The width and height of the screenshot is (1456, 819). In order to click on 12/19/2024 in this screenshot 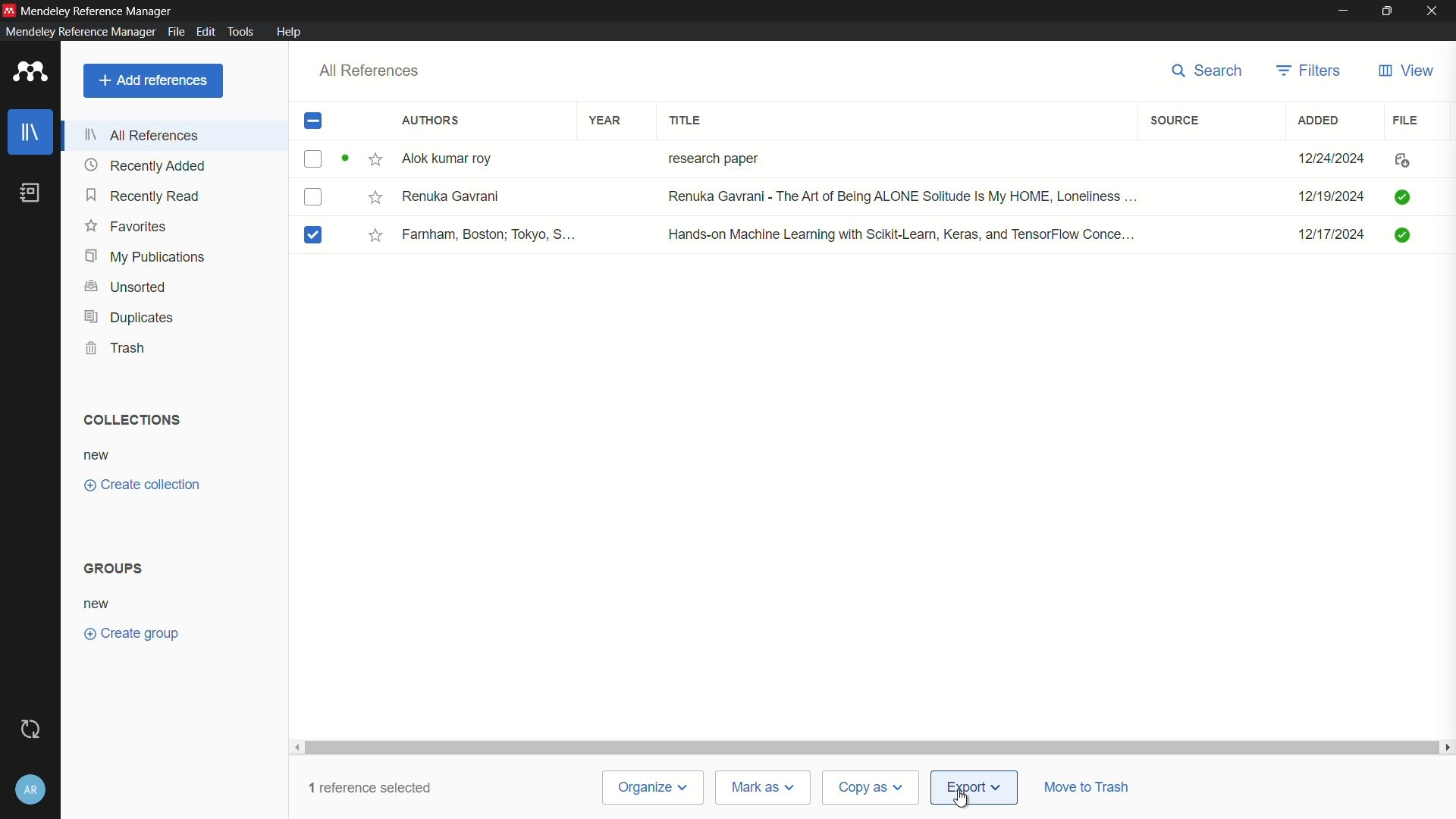, I will do `click(1330, 198)`.